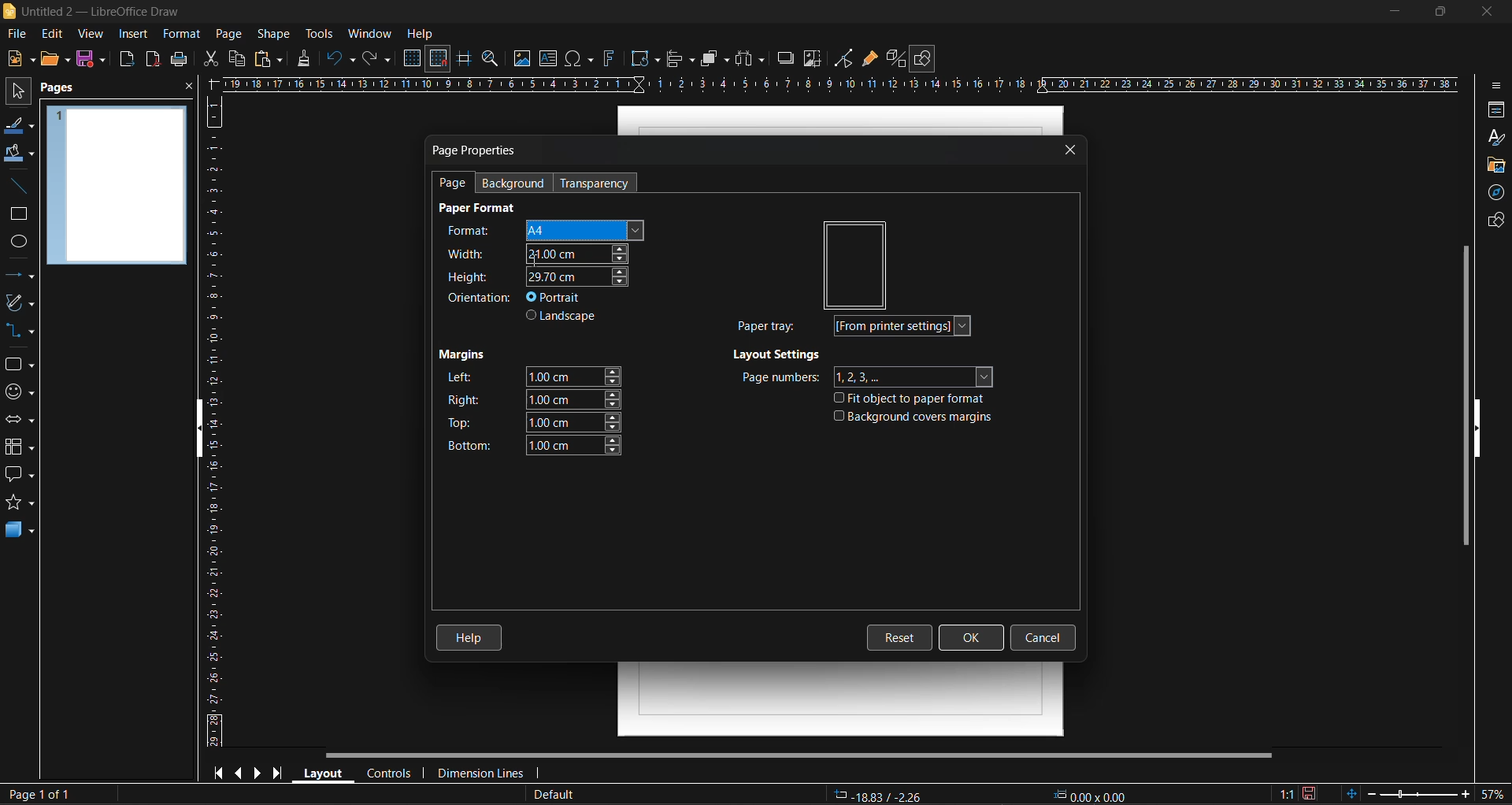 This screenshot has width=1512, height=805. I want to click on landscape, so click(565, 318).